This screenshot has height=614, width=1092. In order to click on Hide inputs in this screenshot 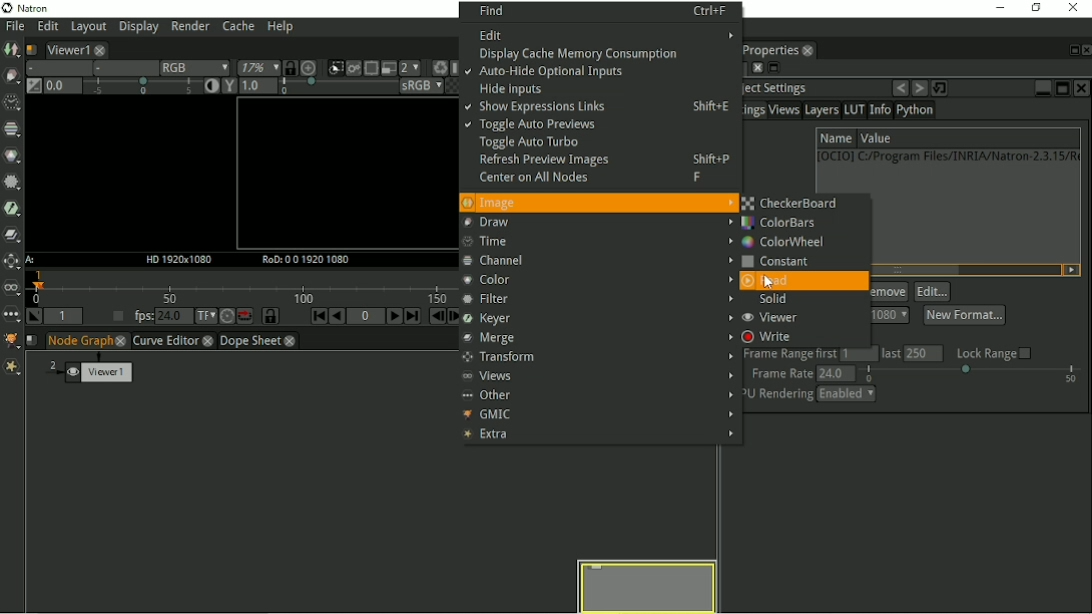, I will do `click(509, 89)`.